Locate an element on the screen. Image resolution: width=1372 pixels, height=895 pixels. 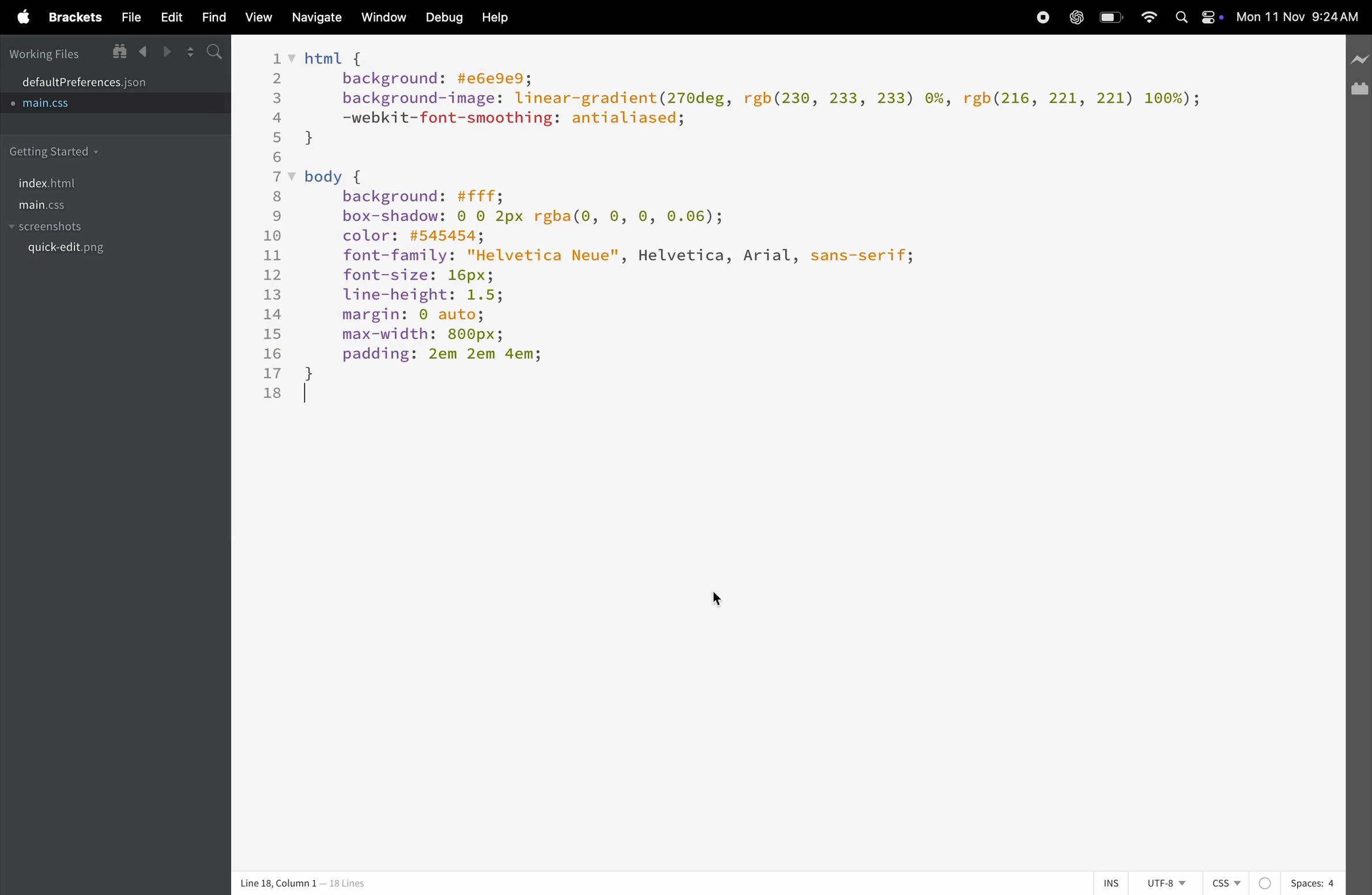
spaces is located at coordinates (1313, 883).